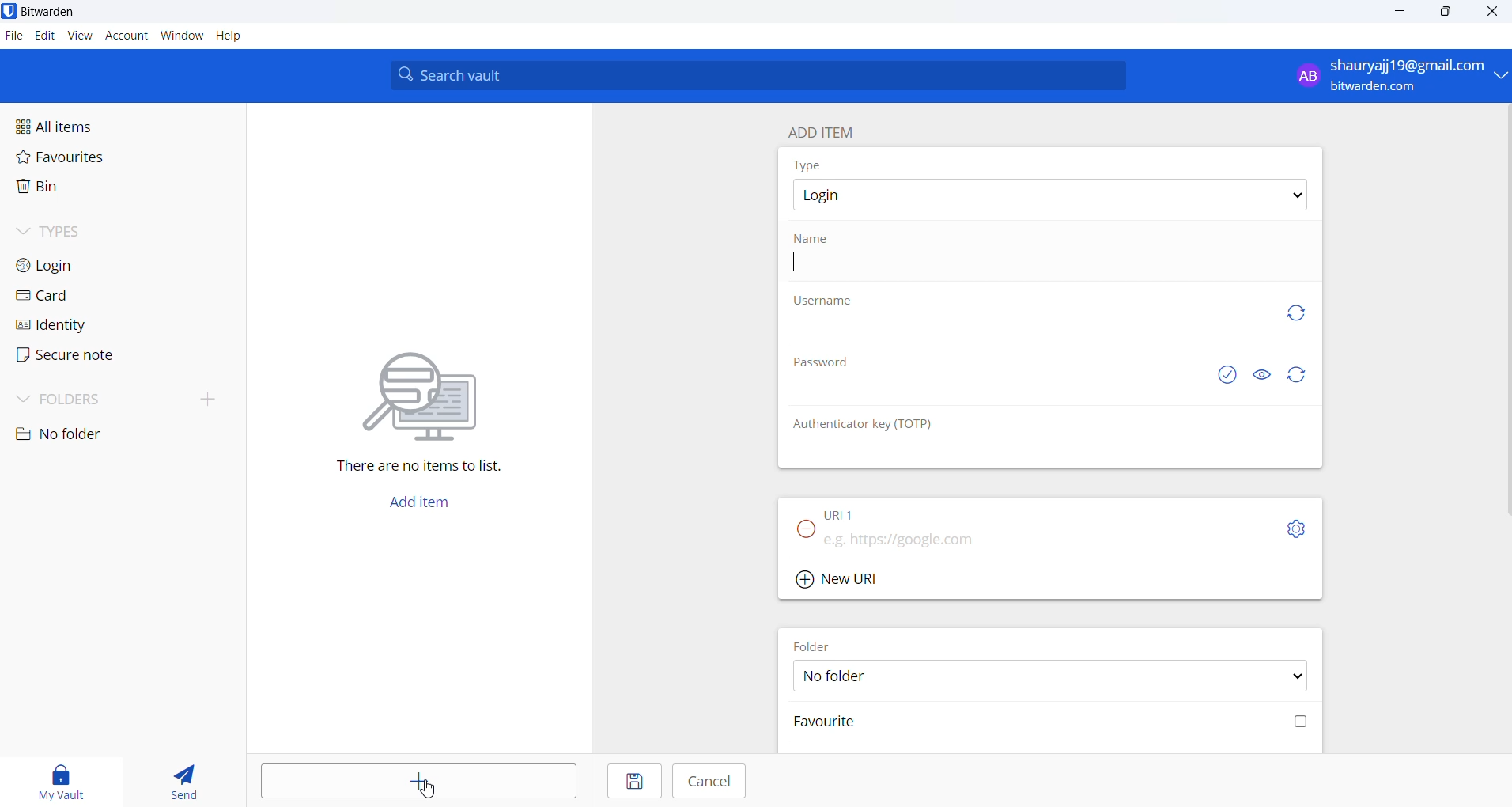  What do you see at coordinates (44, 36) in the screenshot?
I see `Edit` at bounding box center [44, 36].